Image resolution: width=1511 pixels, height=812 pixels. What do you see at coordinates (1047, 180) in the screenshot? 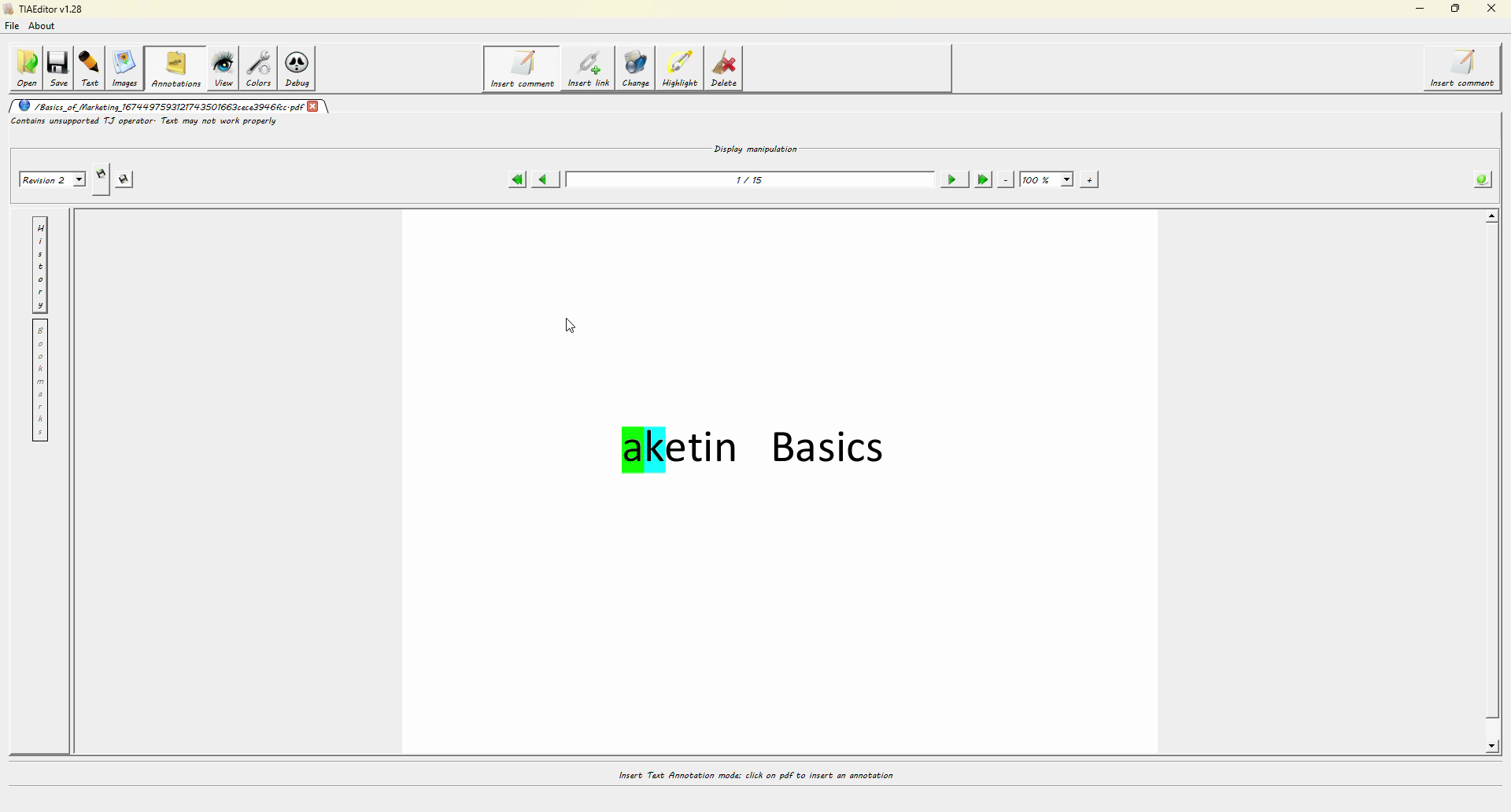
I see `100%` at bounding box center [1047, 180].